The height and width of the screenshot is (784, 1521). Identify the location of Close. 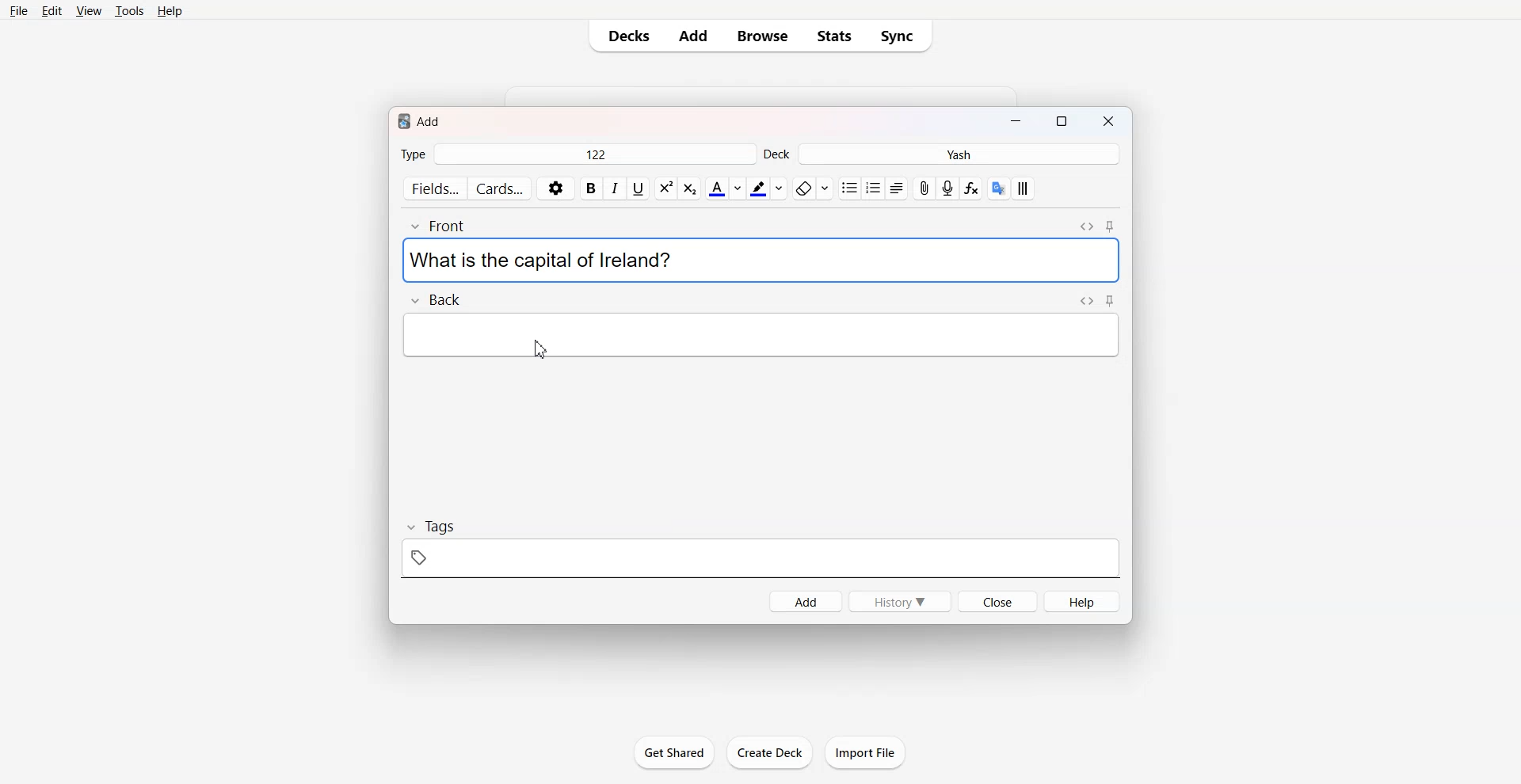
(1111, 123).